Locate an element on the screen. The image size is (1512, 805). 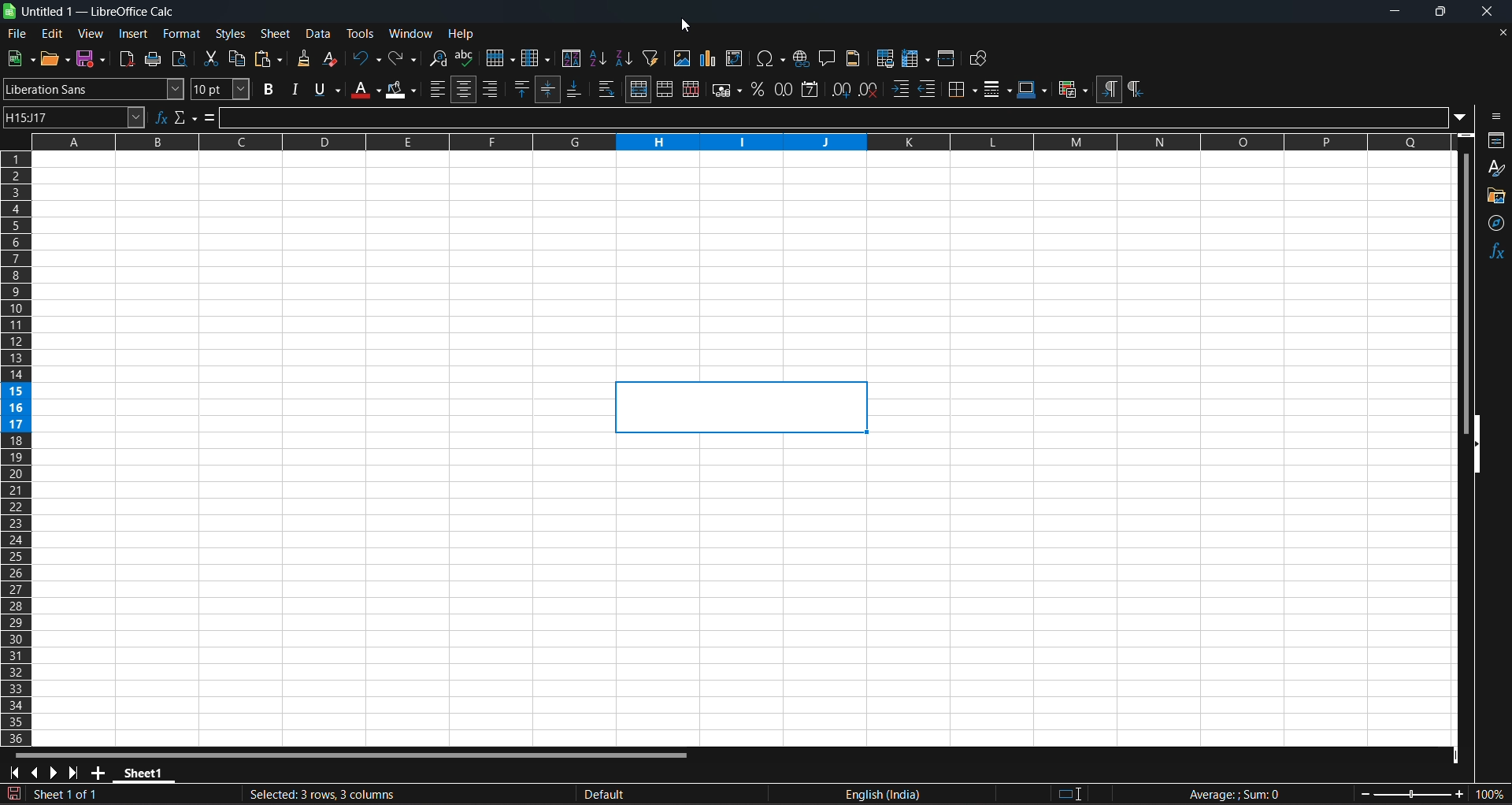
insert or edit pivot table is located at coordinates (736, 58).